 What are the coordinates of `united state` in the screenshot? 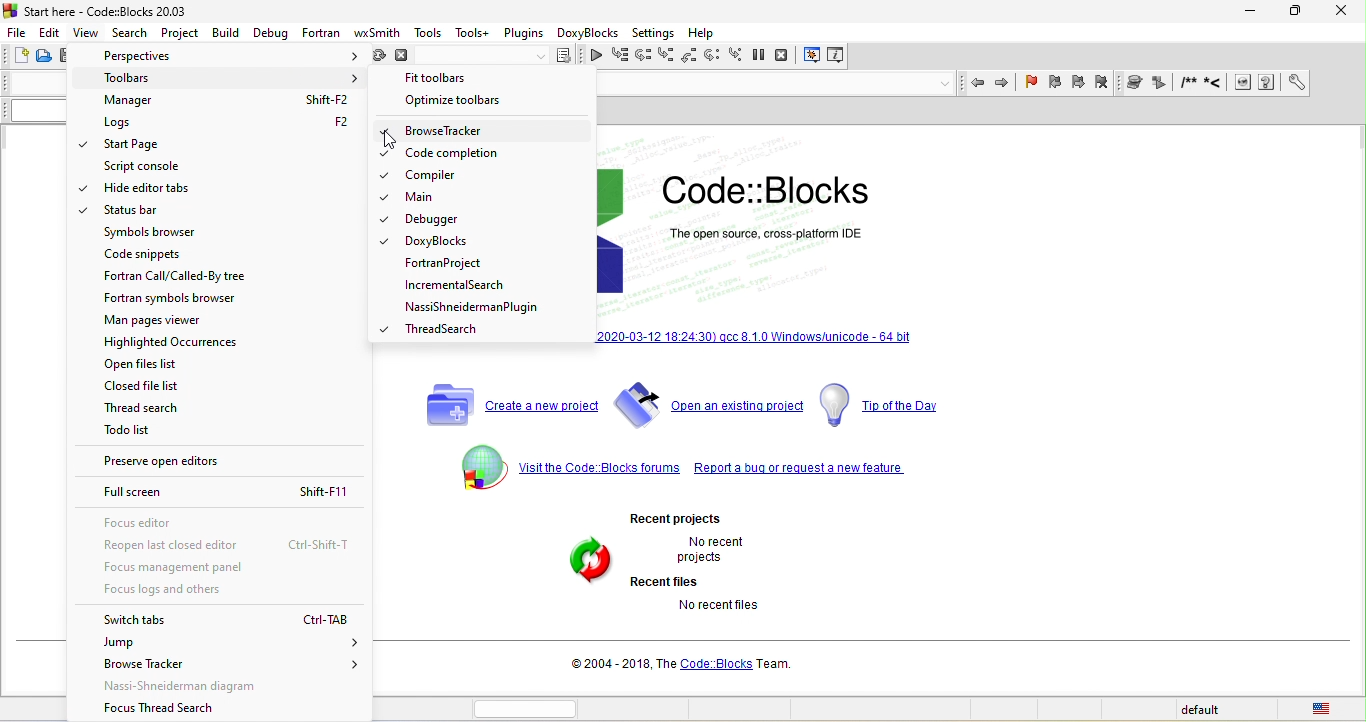 It's located at (1326, 710).